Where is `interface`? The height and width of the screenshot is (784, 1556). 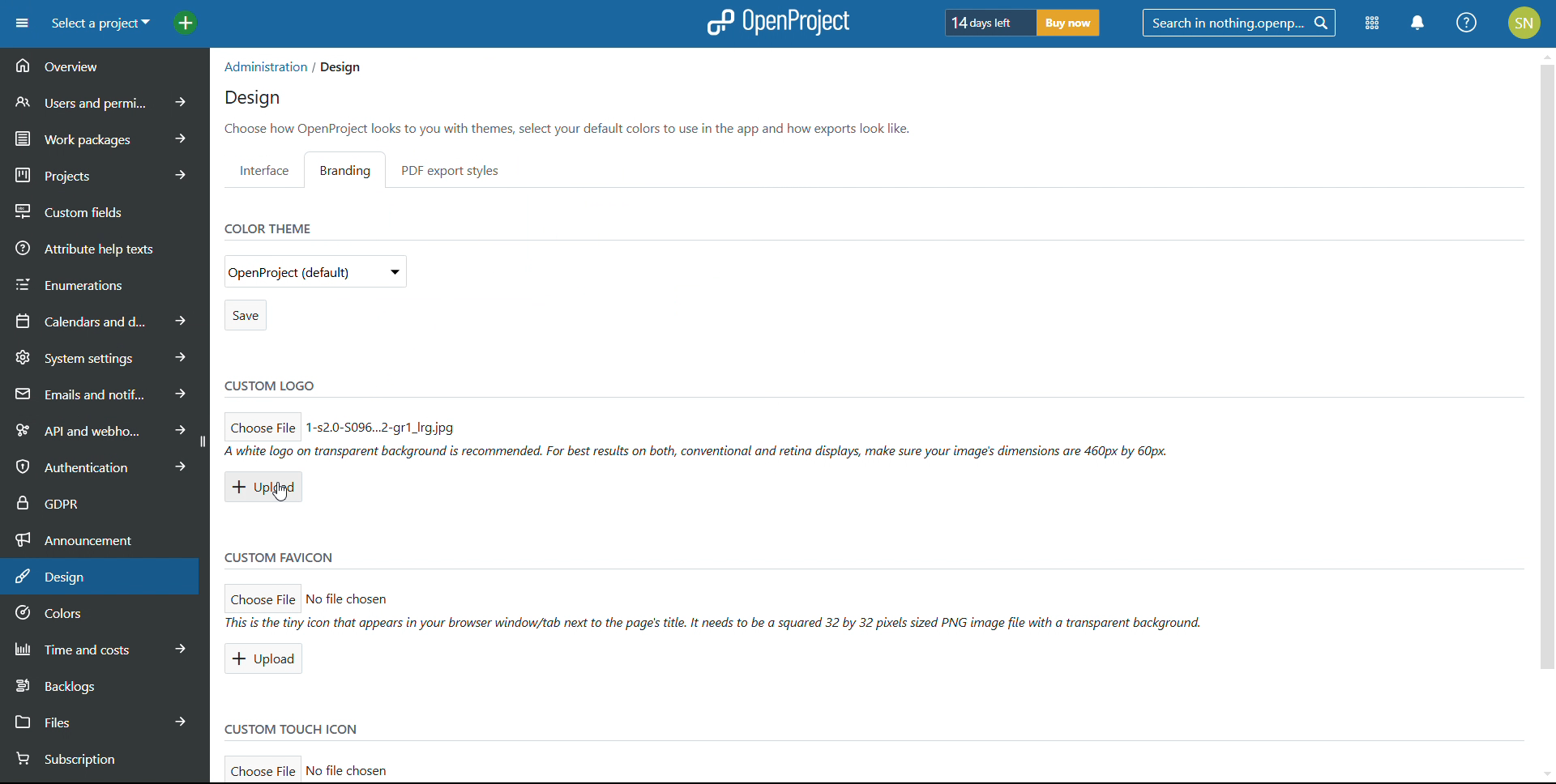 interface is located at coordinates (264, 169).